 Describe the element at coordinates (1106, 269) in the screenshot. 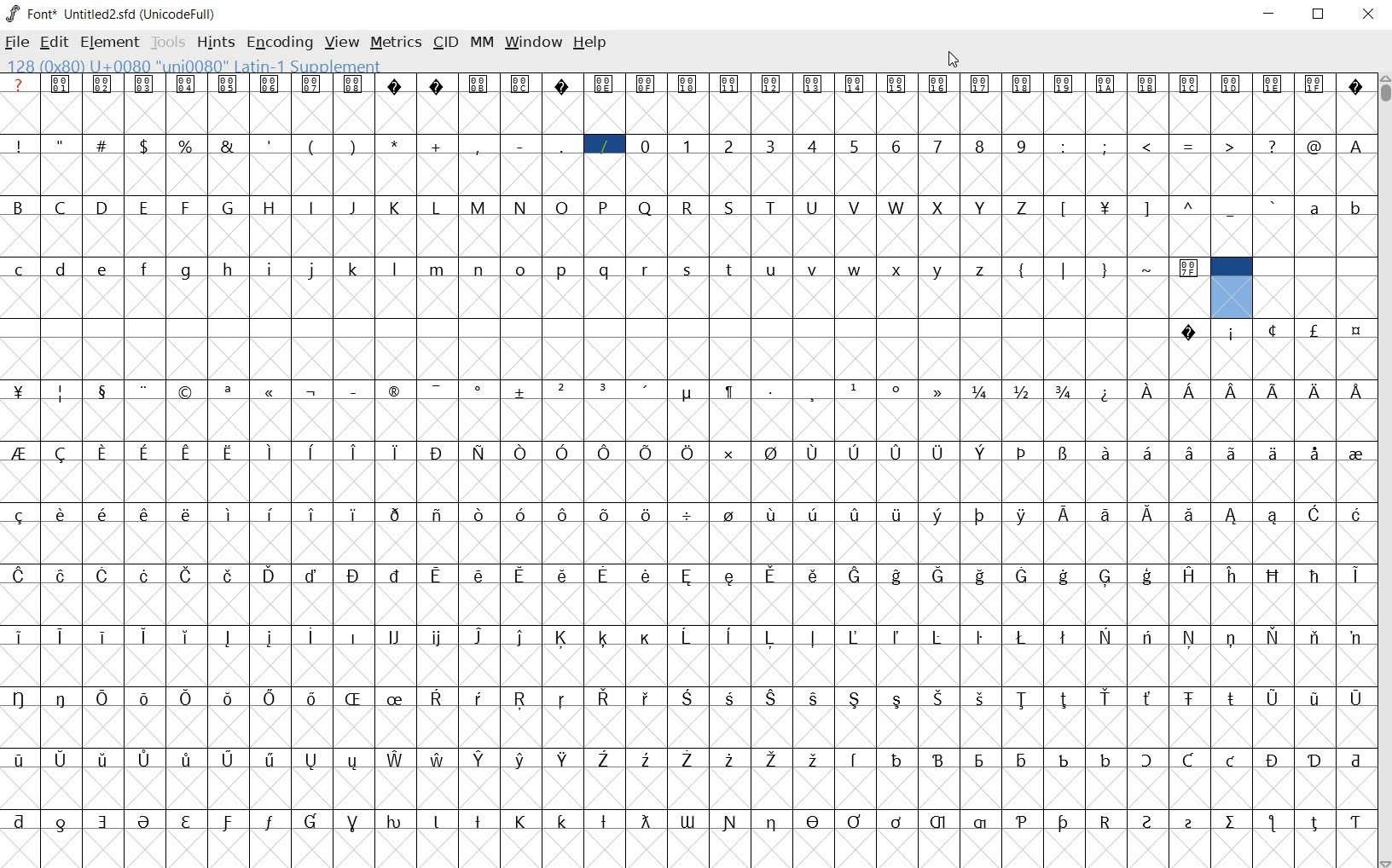

I see `}` at that location.